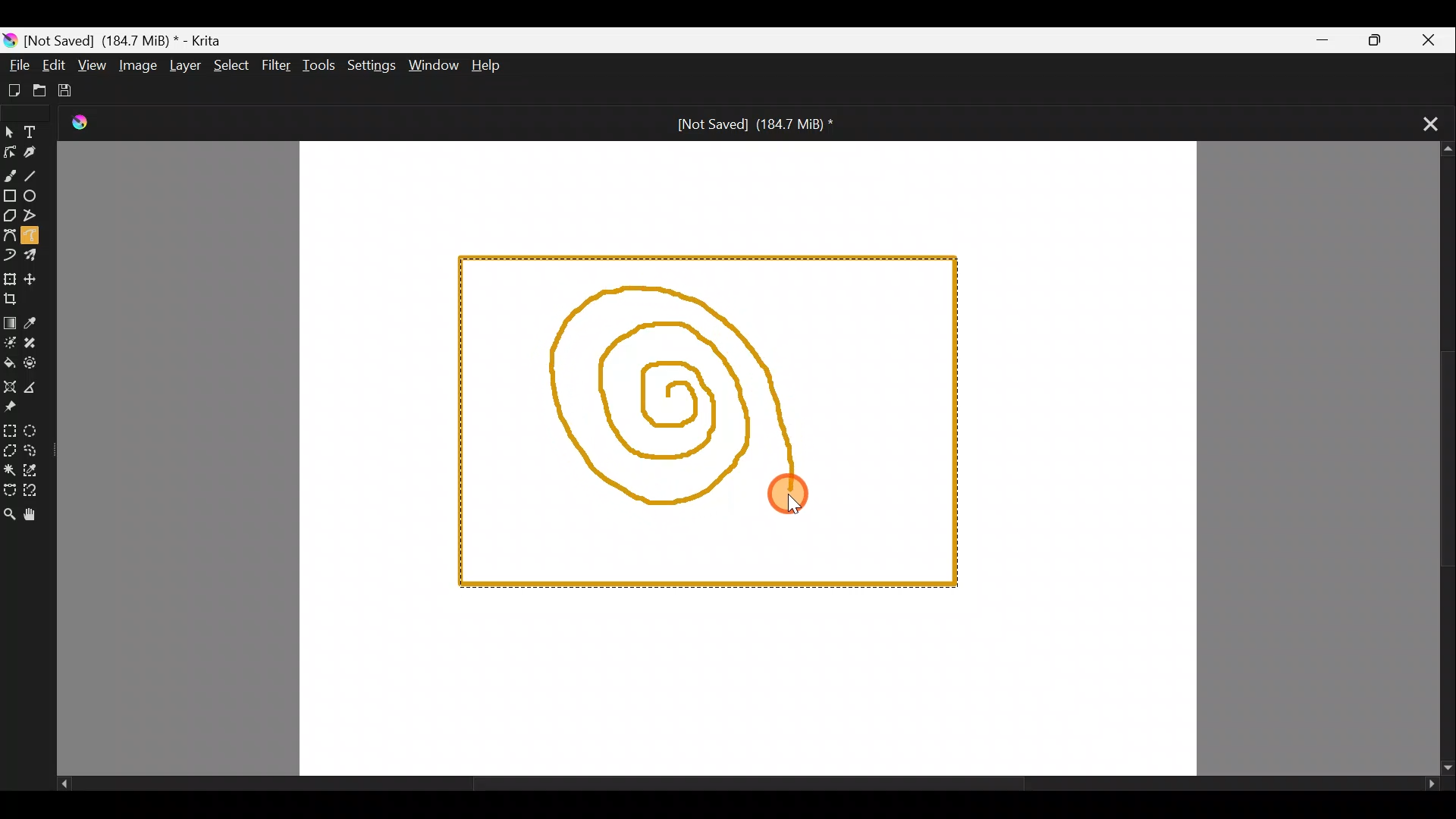 The height and width of the screenshot is (819, 1456). Describe the element at coordinates (10, 344) in the screenshot. I see `Colourise mask tool` at that location.